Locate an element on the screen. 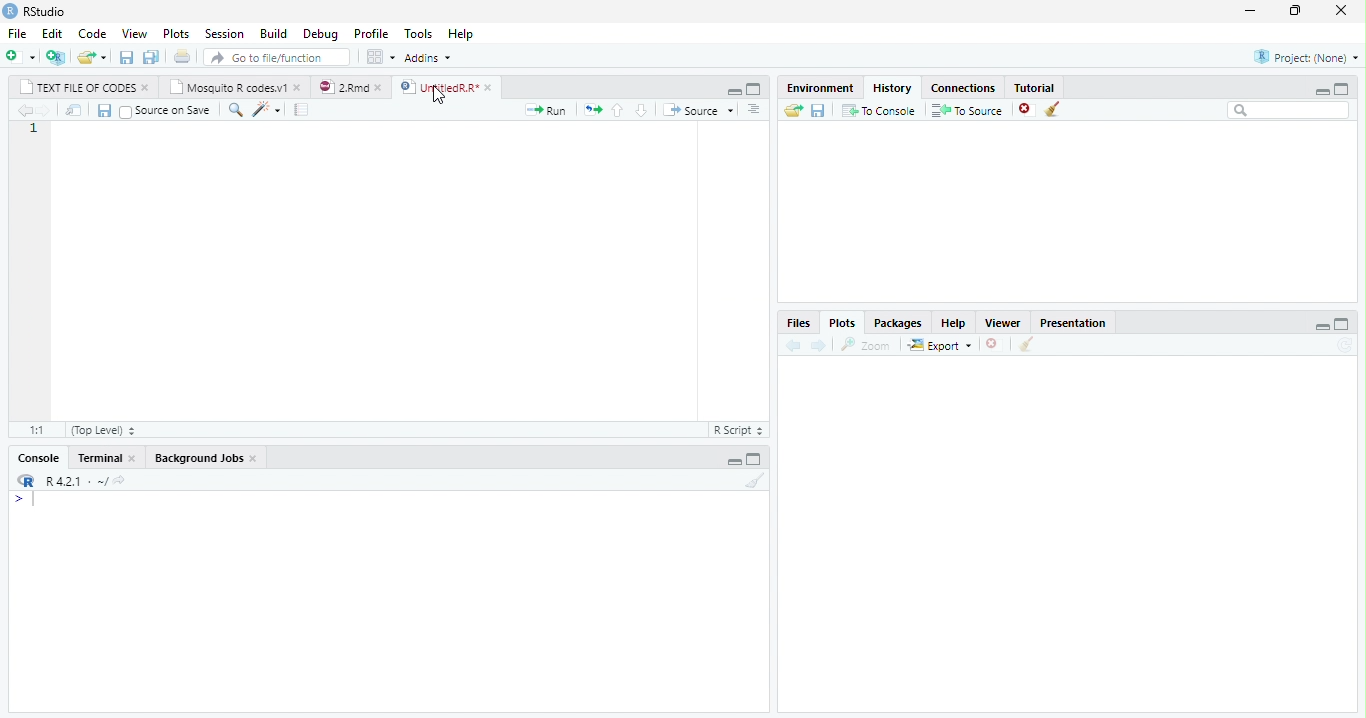 The image size is (1366, 718). to console : send the selected commands to the R console is located at coordinates (877, 110).